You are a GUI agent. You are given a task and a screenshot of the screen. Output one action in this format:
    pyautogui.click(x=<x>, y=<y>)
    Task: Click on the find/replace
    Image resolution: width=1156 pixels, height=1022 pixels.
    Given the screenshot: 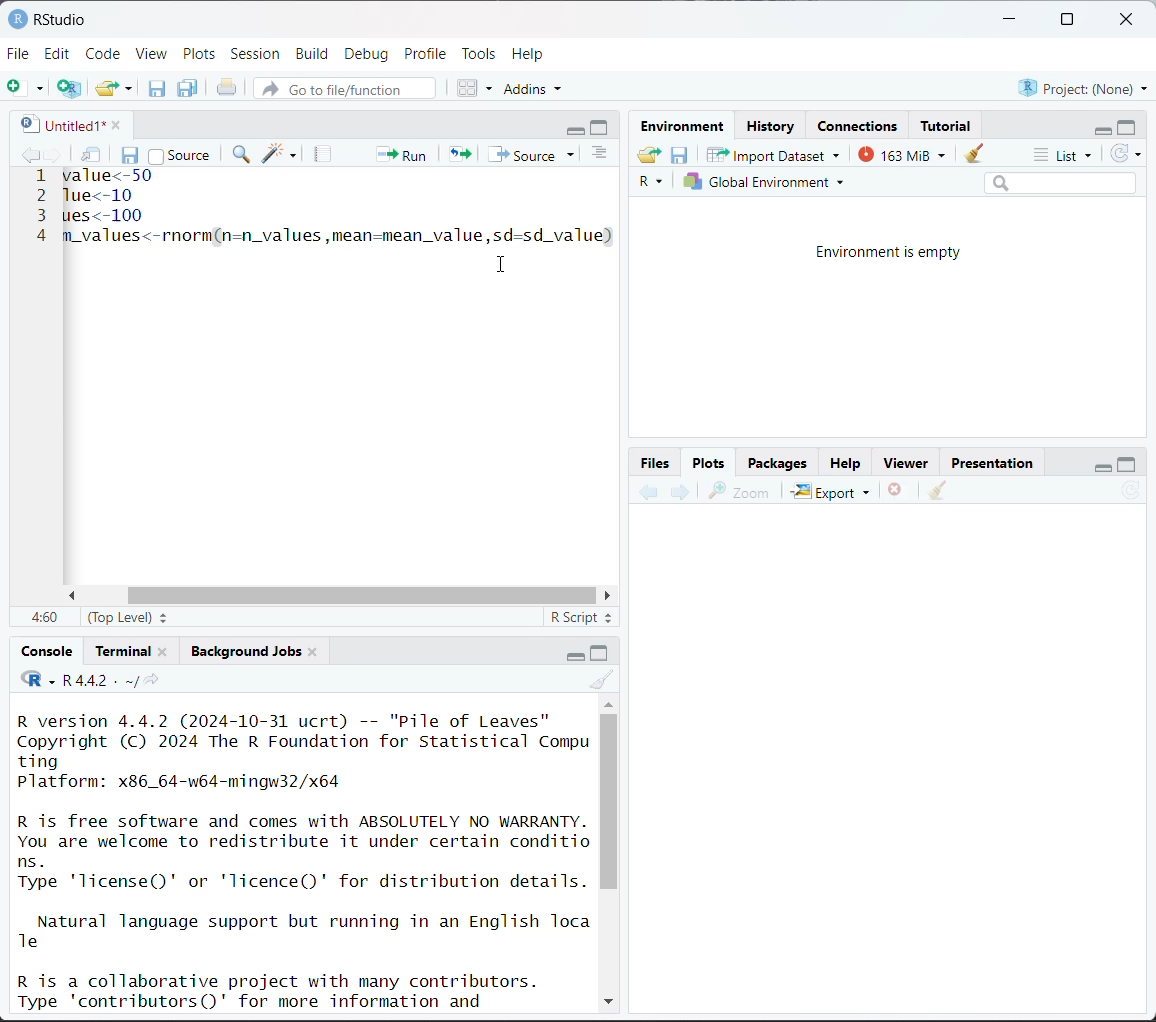 What is the action you would take?
    pyautogui.click(x=243, y=156)
    